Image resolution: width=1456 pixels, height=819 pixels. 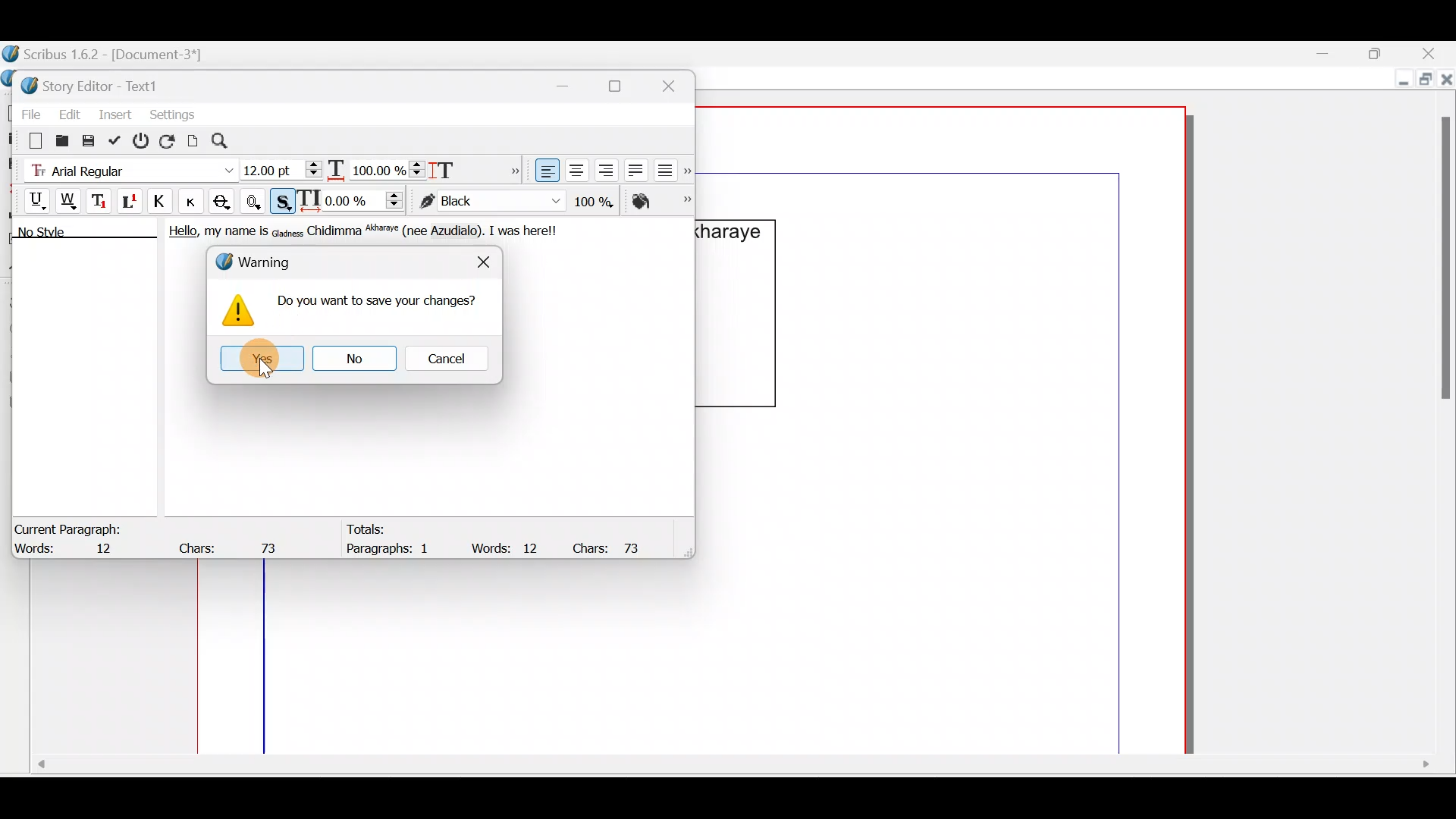 I want to click on color of text stroke, so click(x=490, y=202).